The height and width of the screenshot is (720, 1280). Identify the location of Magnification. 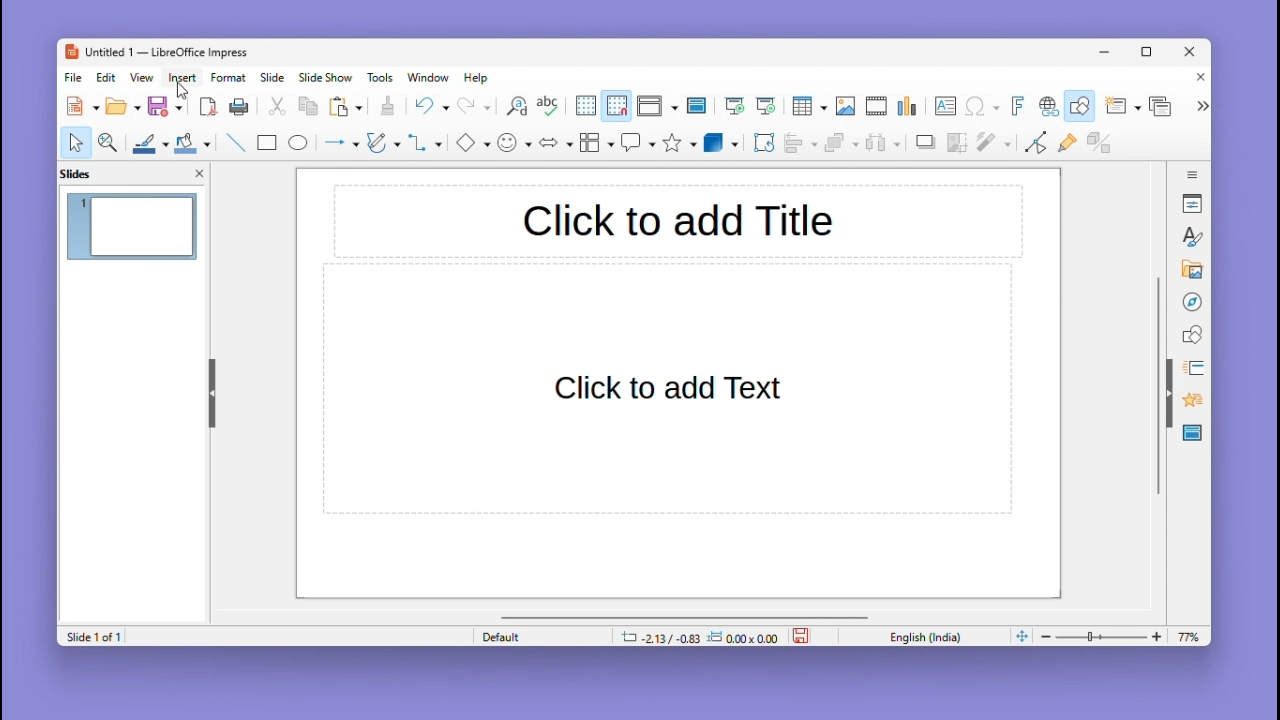
(109, 141).